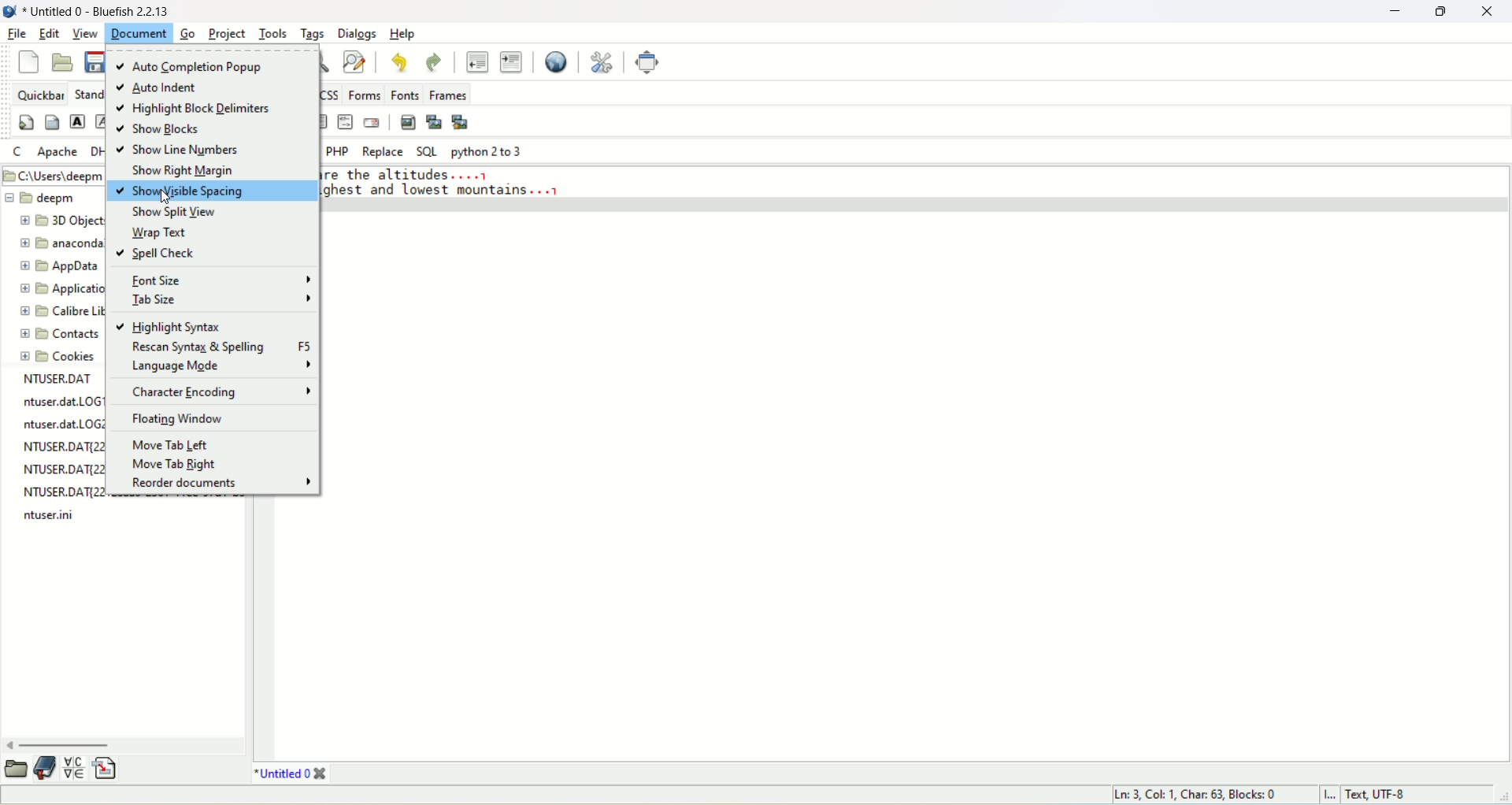  Describe the element at coordinates (29, 61) in the screenshot. I see `new` at that location.